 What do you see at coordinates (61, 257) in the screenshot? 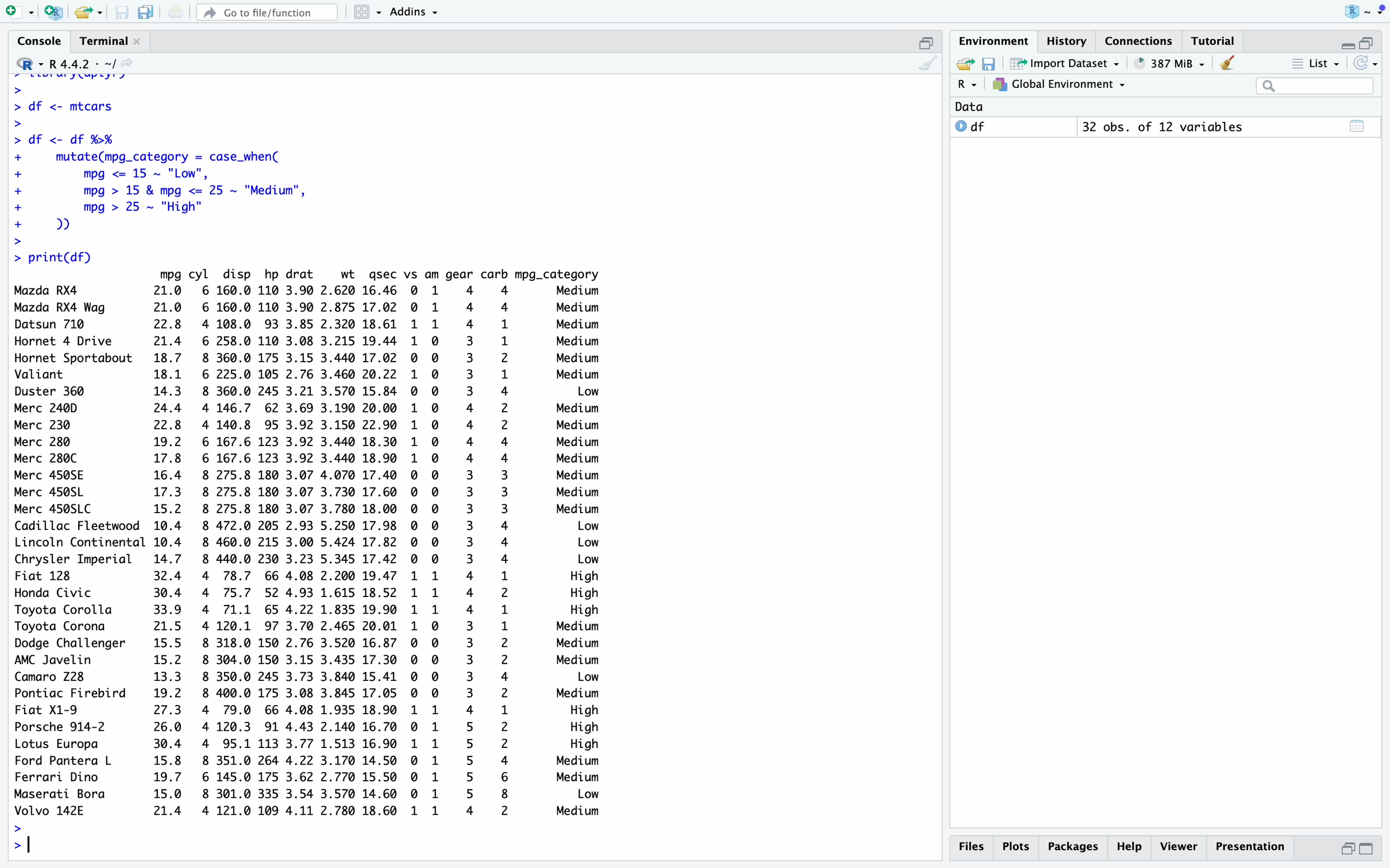
I see `> print(df)` at bounding box center [61, 257].